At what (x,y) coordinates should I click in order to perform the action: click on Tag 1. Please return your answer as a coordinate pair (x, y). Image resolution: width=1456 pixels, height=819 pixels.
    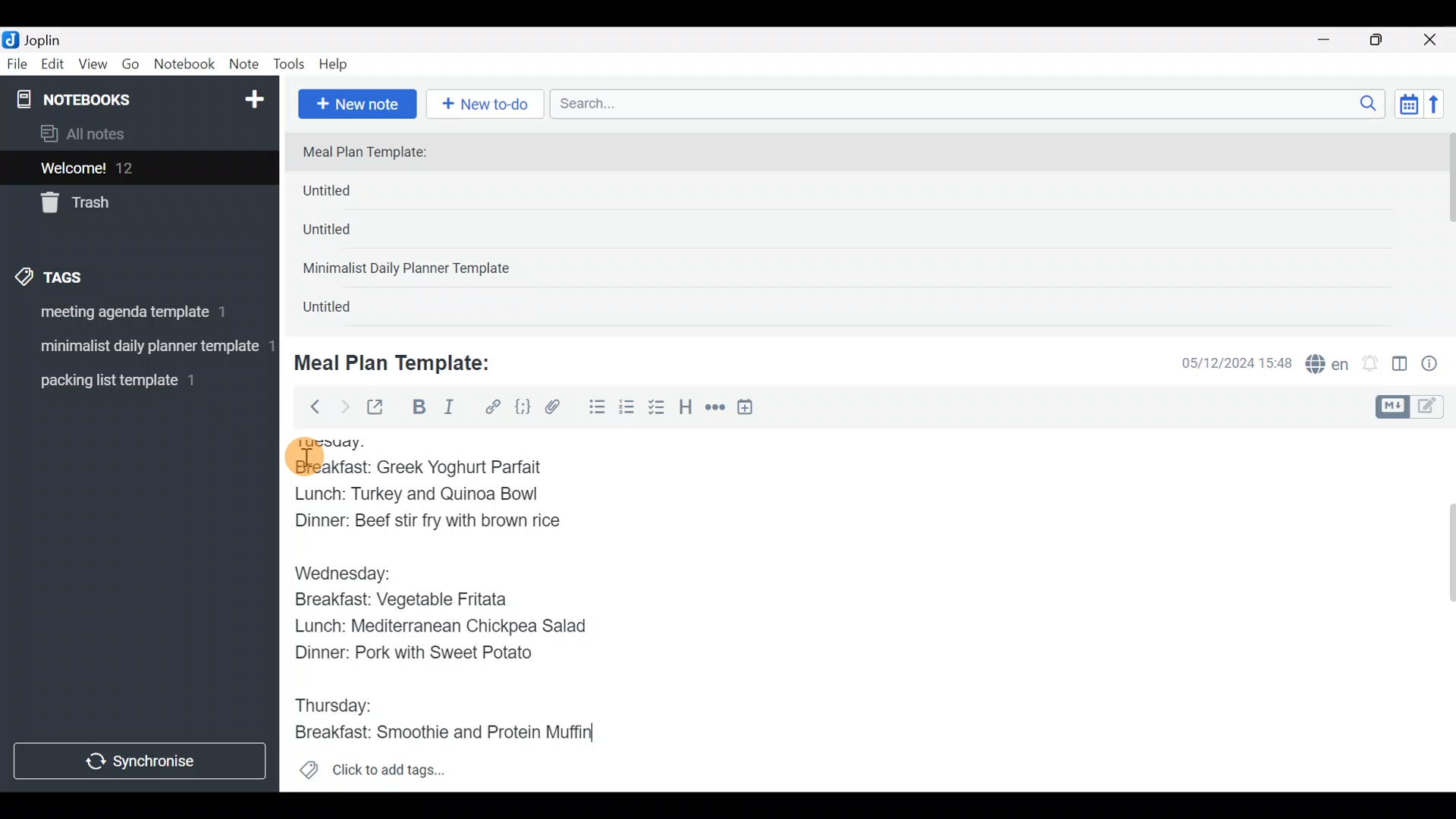
    Looking at the image, I should click on (135, 316).